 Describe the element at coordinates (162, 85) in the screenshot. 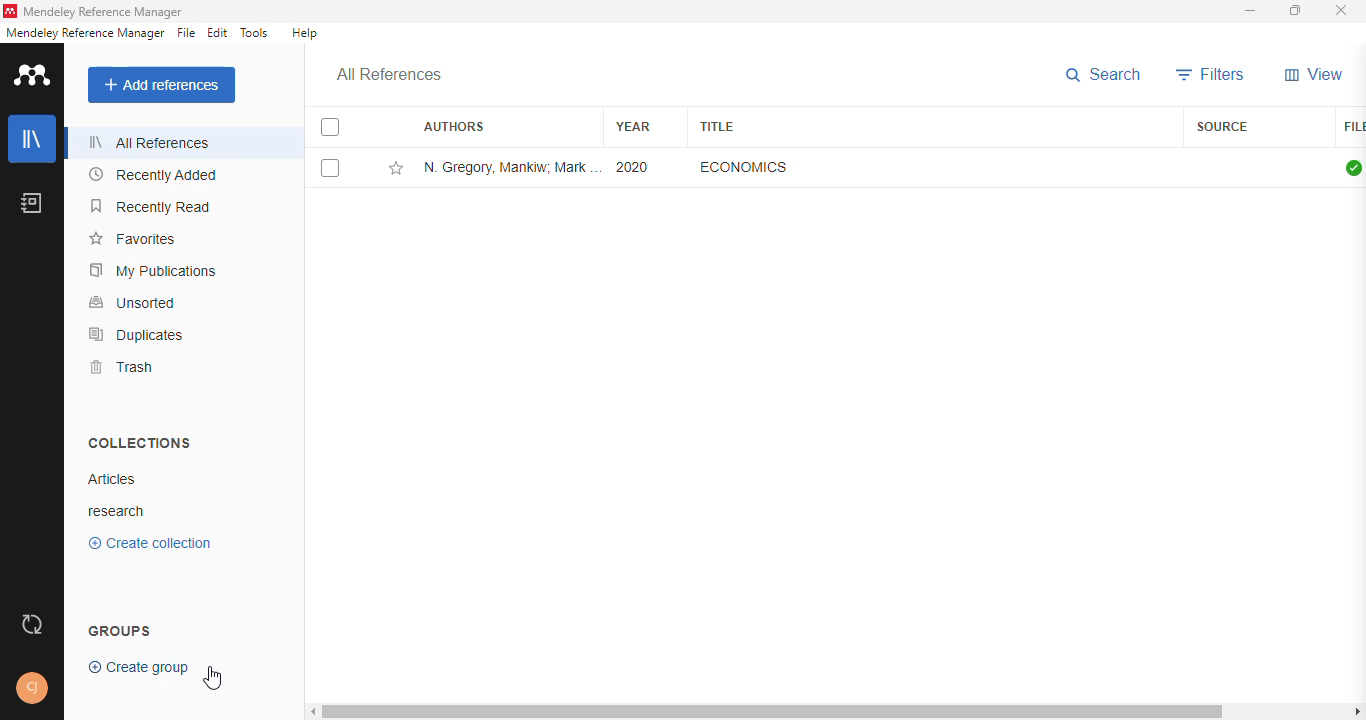

I see `add references` at that location.